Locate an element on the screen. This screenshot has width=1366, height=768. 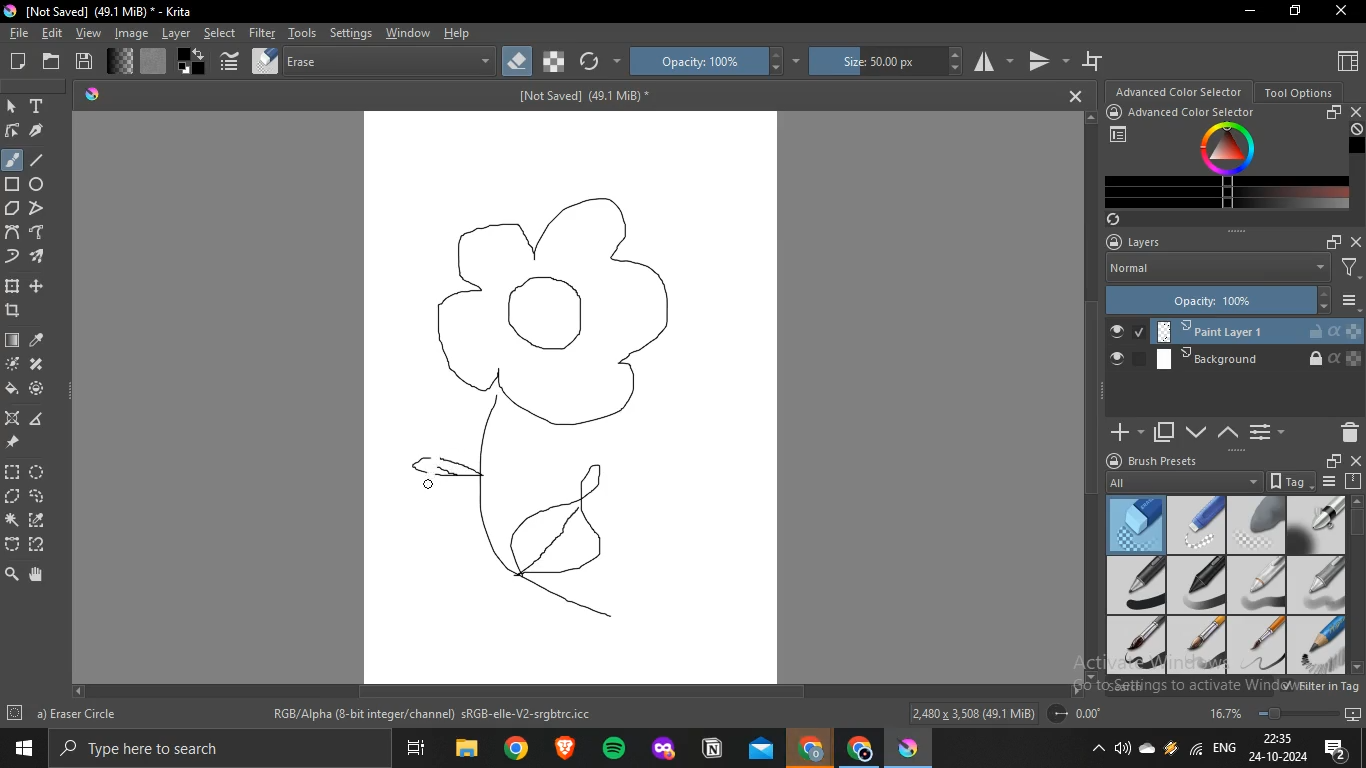
Network is located at coordinates (1194, 748).